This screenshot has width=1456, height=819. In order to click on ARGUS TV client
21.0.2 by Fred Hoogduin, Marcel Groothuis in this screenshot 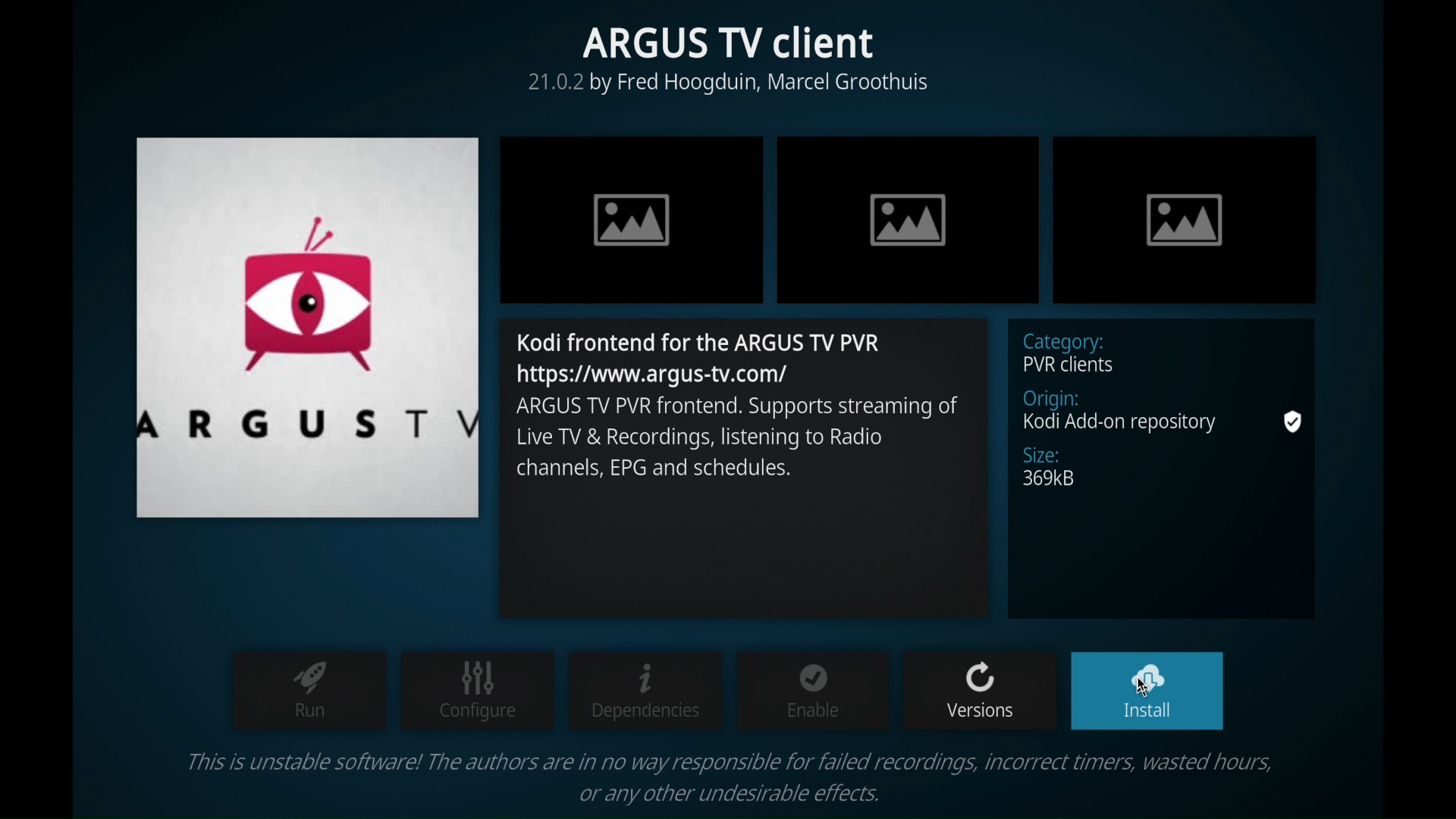, I will do `click(720, 63)`.